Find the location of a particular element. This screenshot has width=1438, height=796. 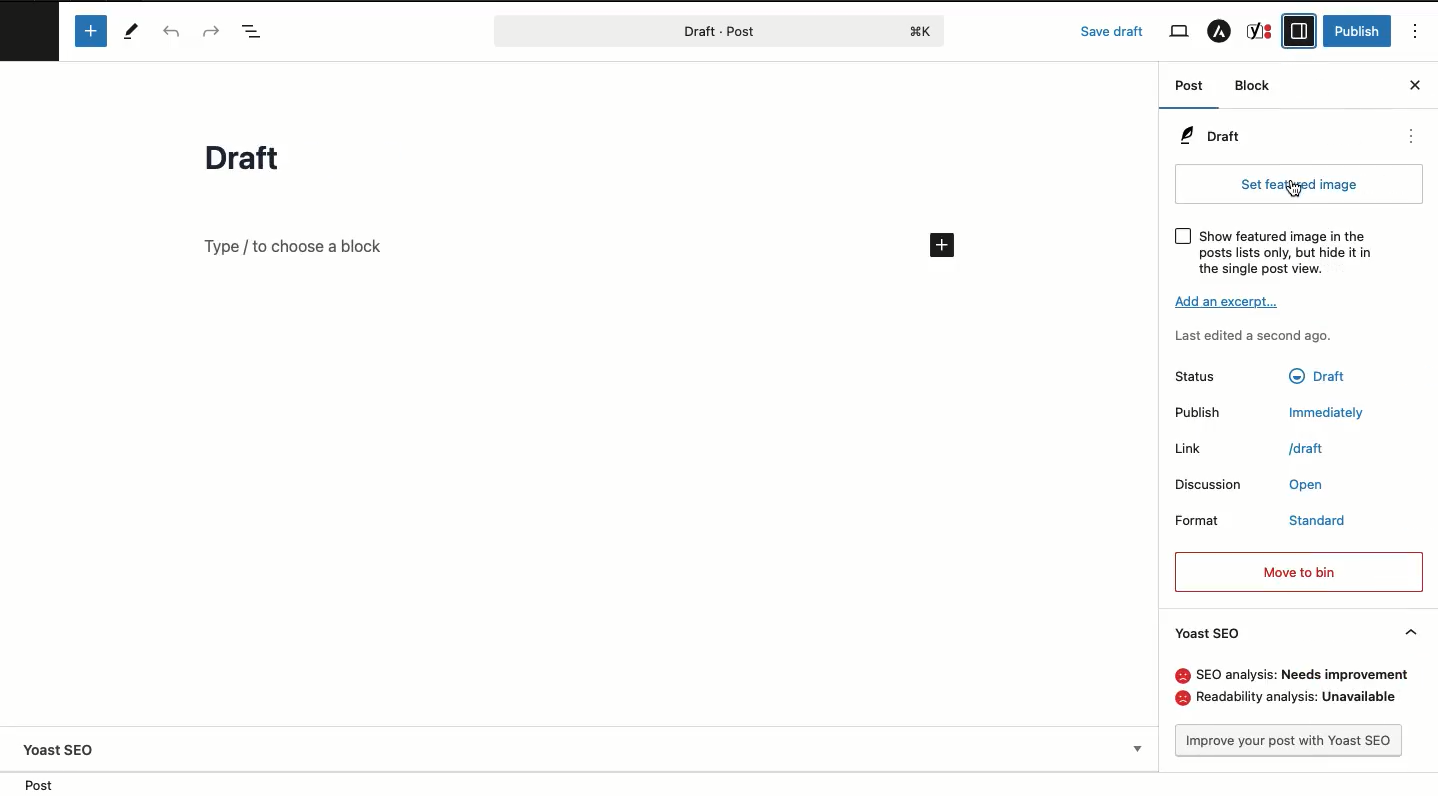

Improve post with Yoast  is located at coordinates (1290, 741).